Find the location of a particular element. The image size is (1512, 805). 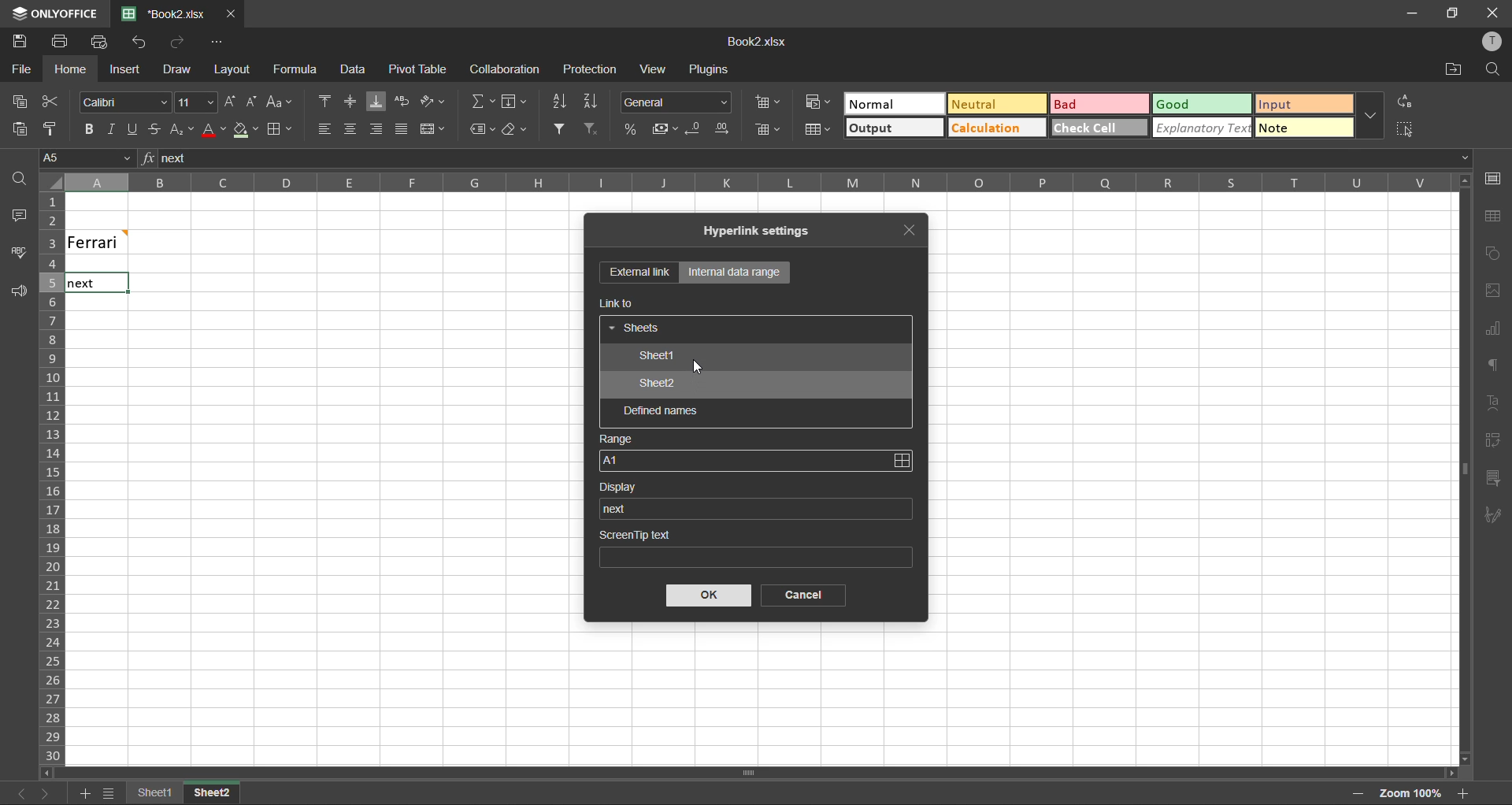

feedback is located at coordinates (21, 295).